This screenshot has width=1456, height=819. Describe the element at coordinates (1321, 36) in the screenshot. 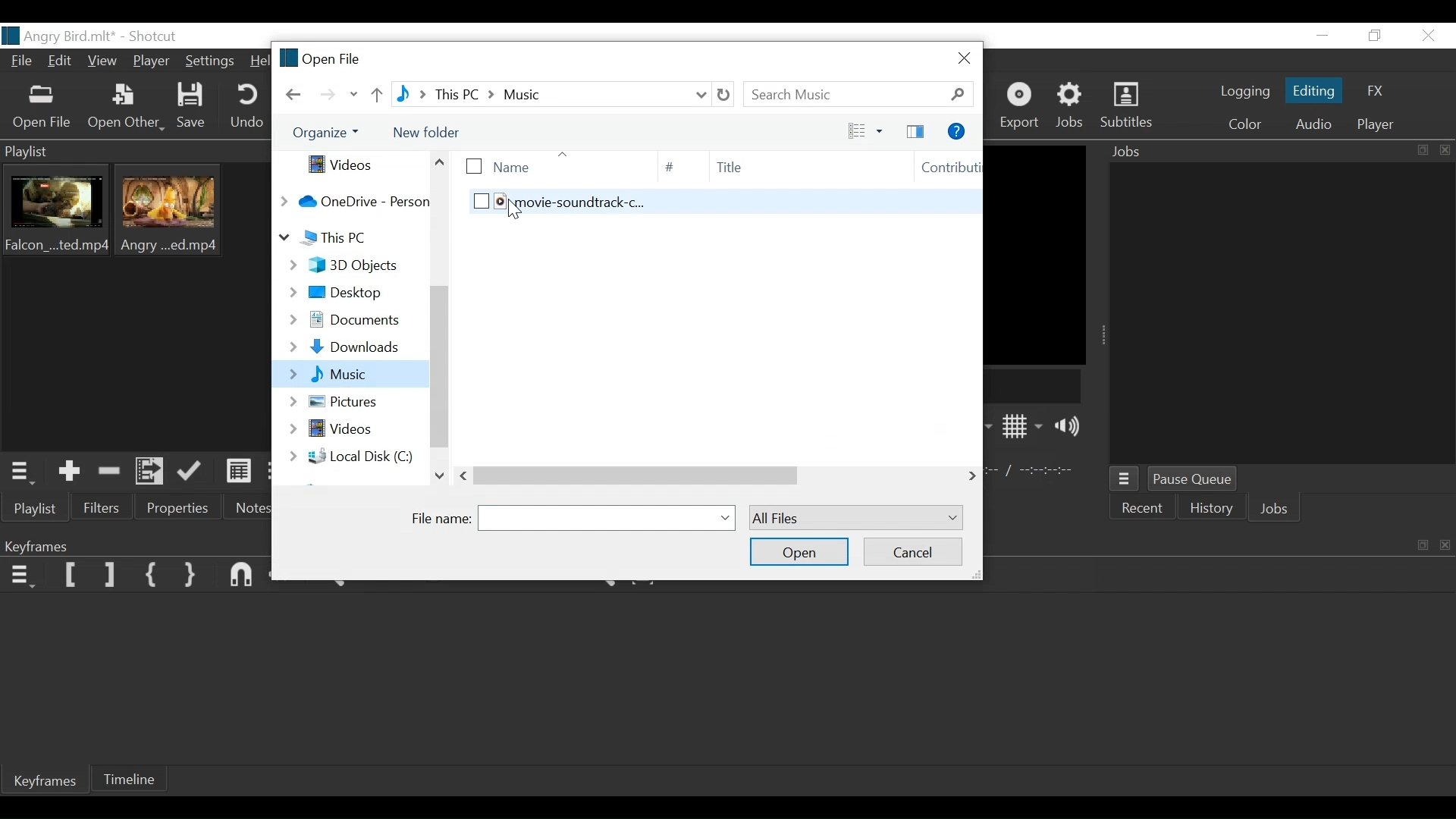

I see `Minimize` at that location.